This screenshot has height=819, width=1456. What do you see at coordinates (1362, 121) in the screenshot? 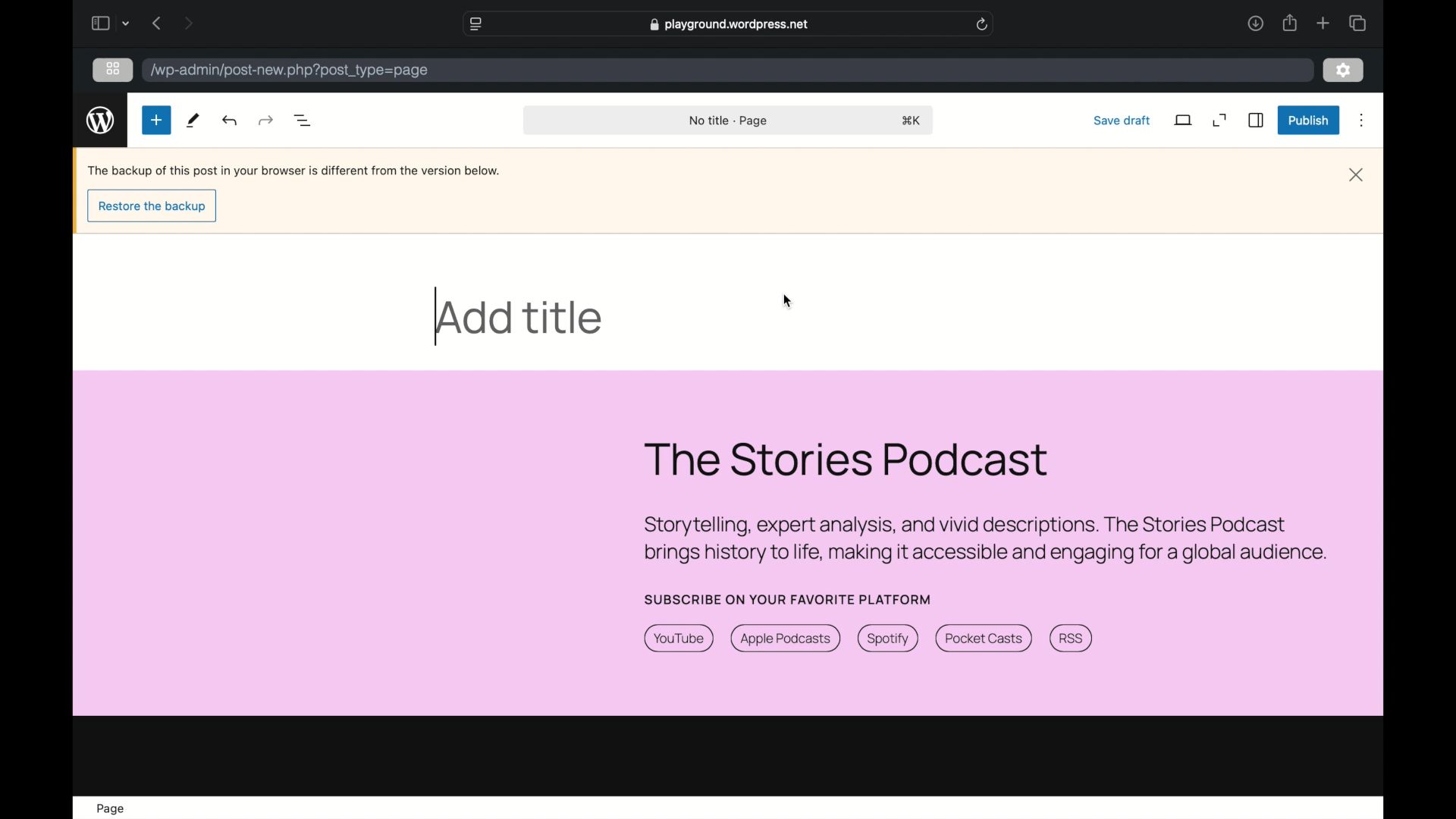
I see `more options` at bounding box center [1362, 121].